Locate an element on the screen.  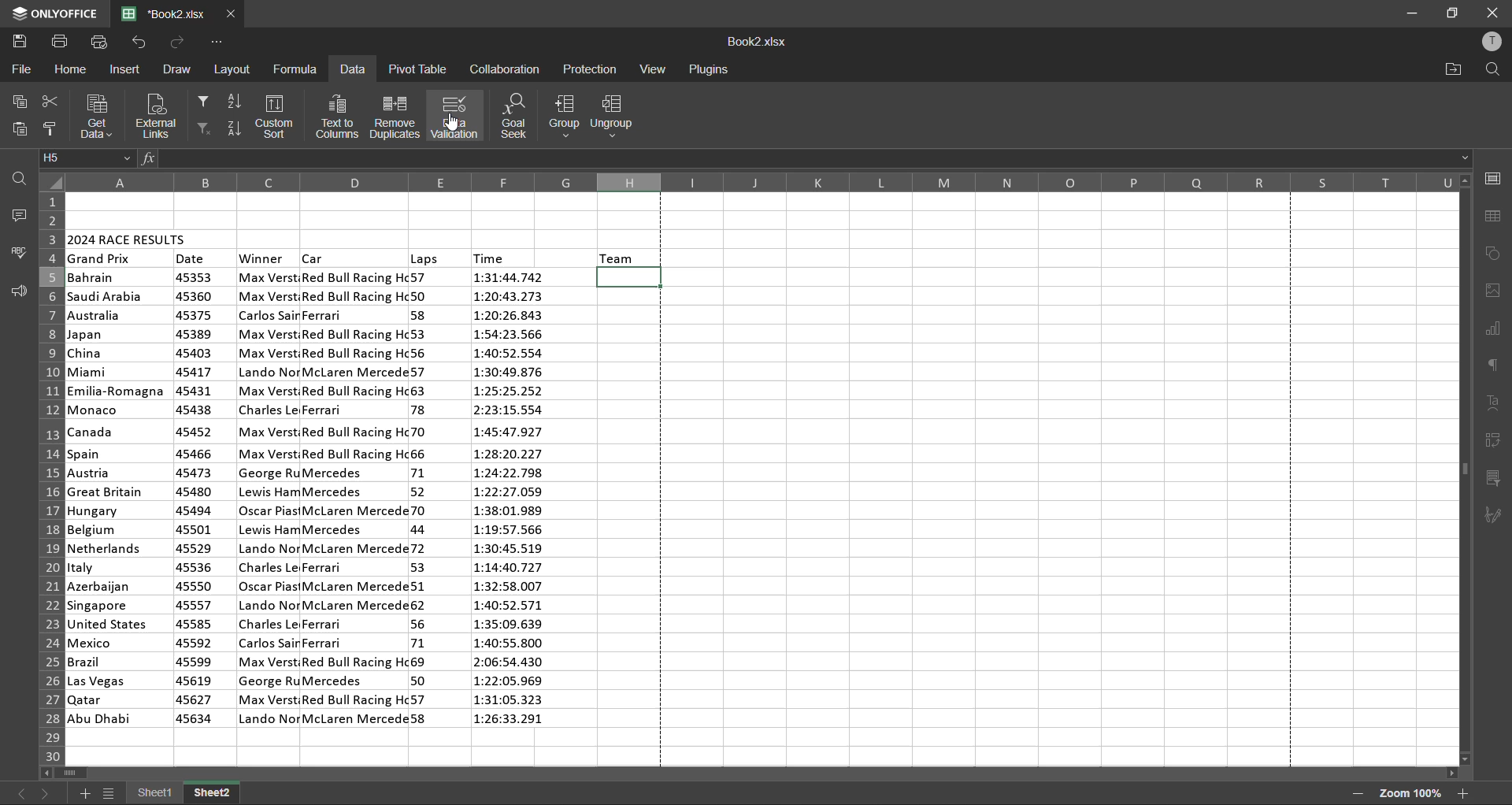
laps is located at coordinates (422, 500).